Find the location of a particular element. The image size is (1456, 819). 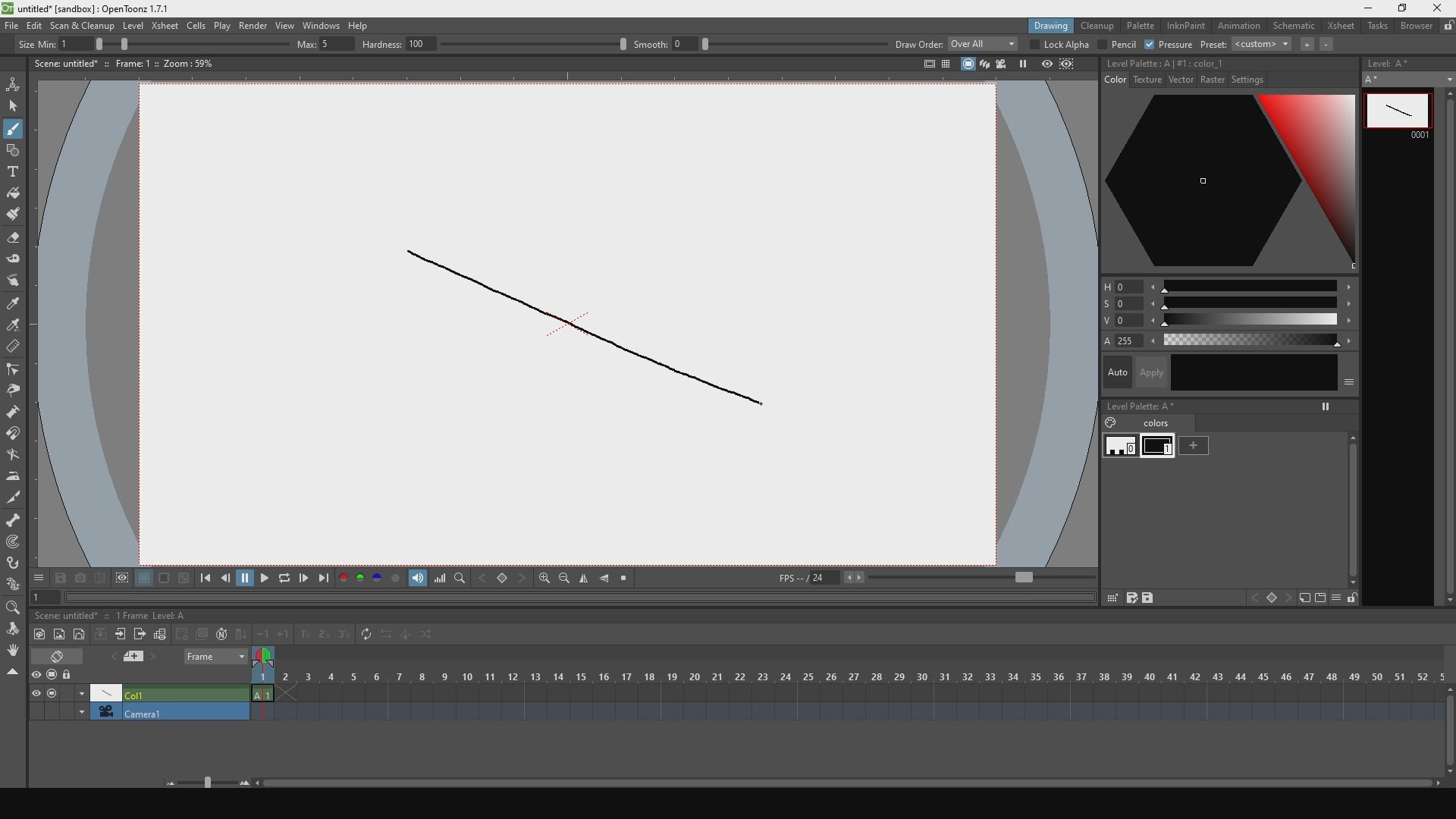

help is located at coordinates (364, 23).